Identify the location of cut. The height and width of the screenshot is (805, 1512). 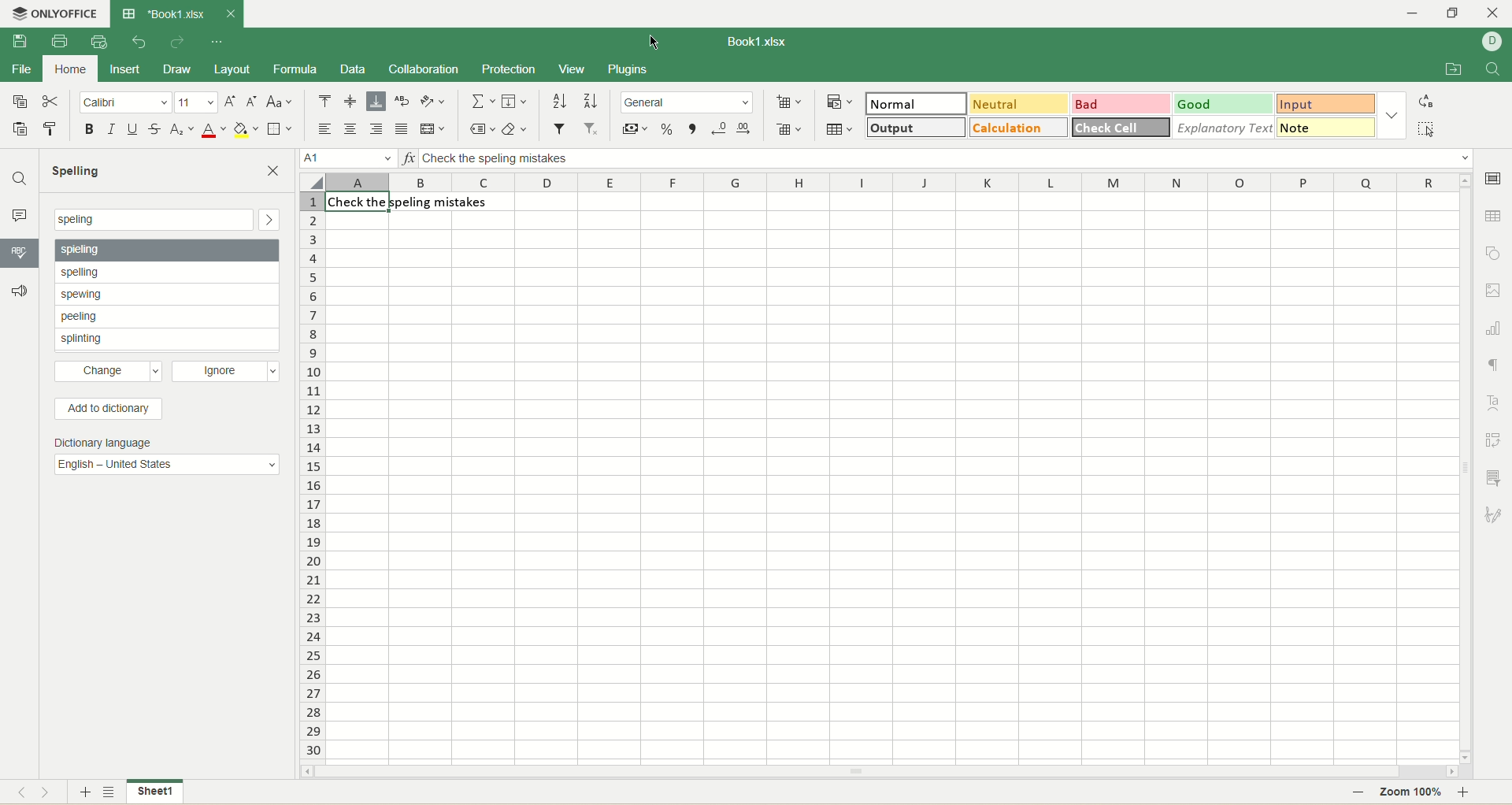
(48, 102).